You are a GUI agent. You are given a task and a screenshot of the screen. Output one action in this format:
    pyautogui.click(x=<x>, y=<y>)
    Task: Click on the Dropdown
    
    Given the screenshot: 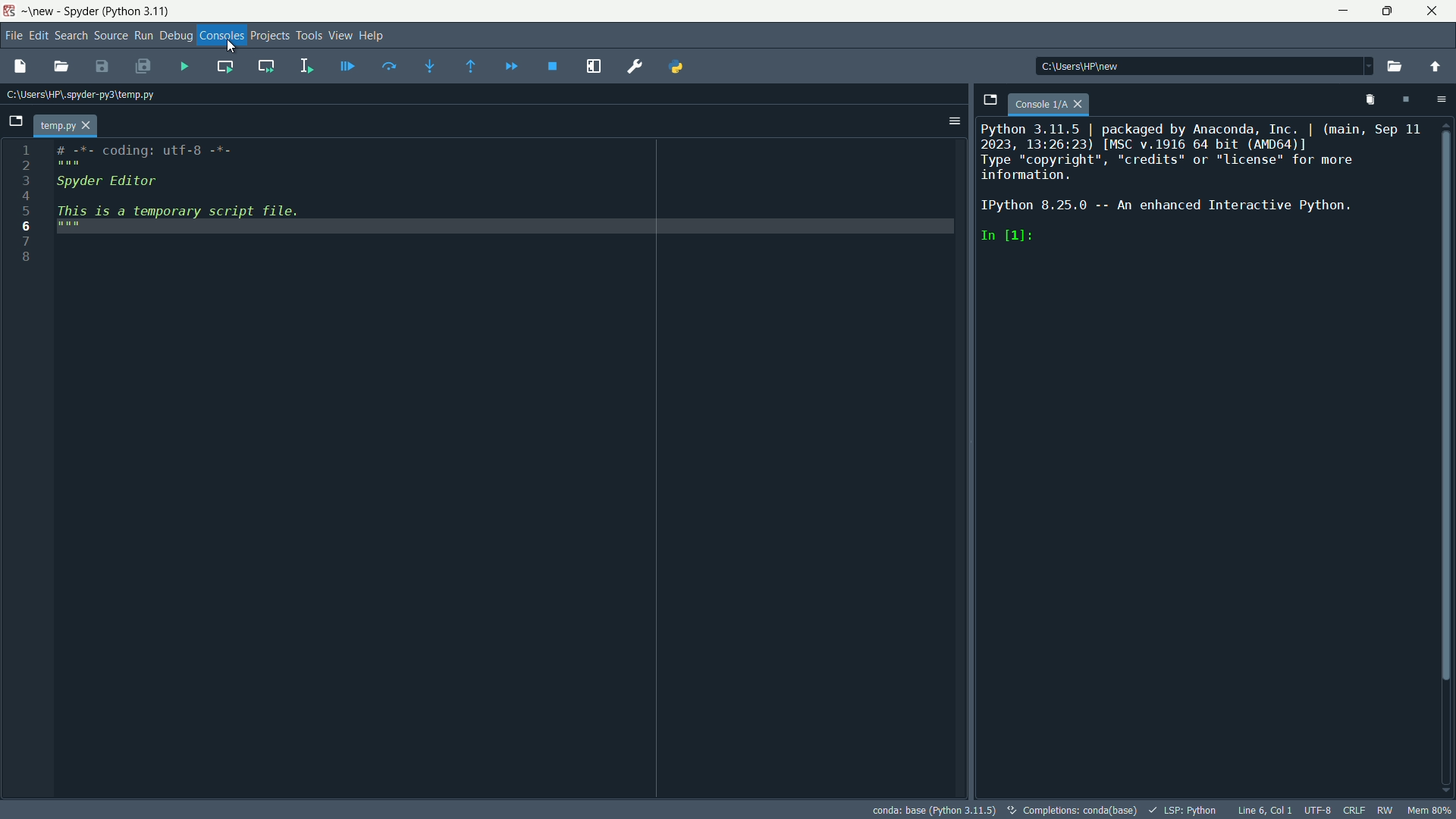 What is the action you would take?
    pyautogui.click(x=1366, y=66)
    